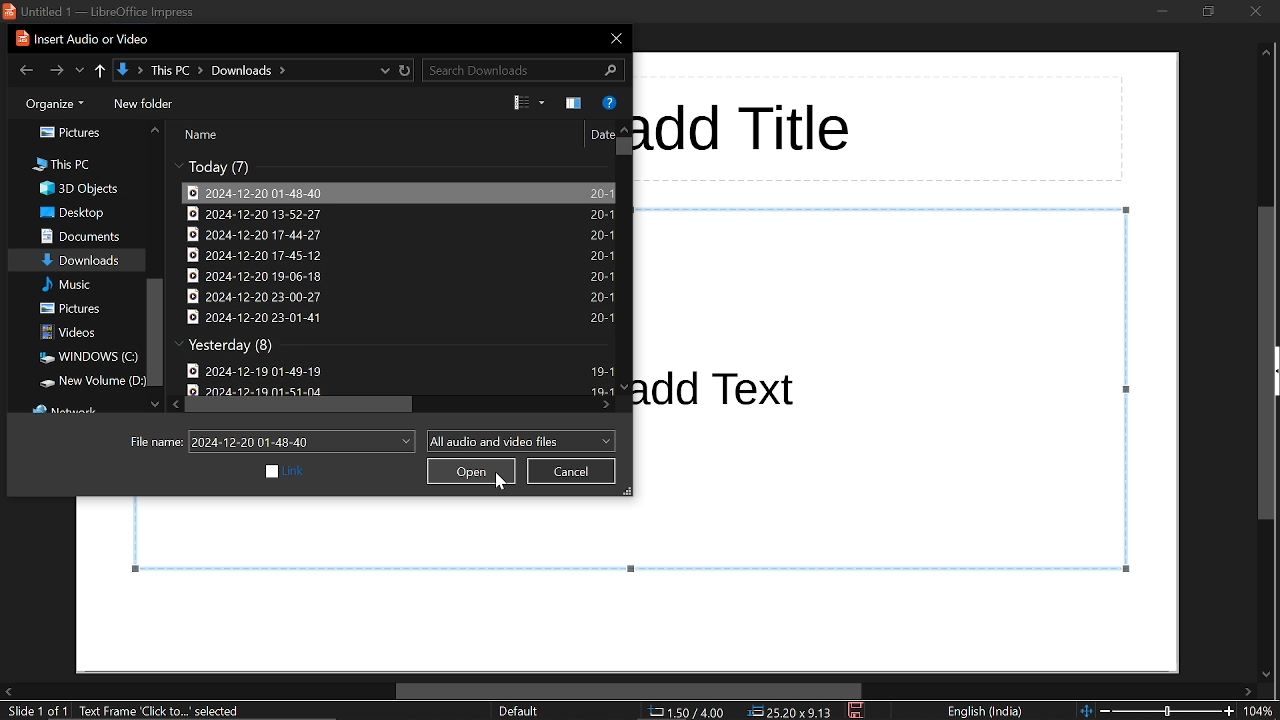 The height and width of the screenshot is (720, 1280). Describe the element at coordinates (153, 130) in the screenshot. I see `move up` at that location.